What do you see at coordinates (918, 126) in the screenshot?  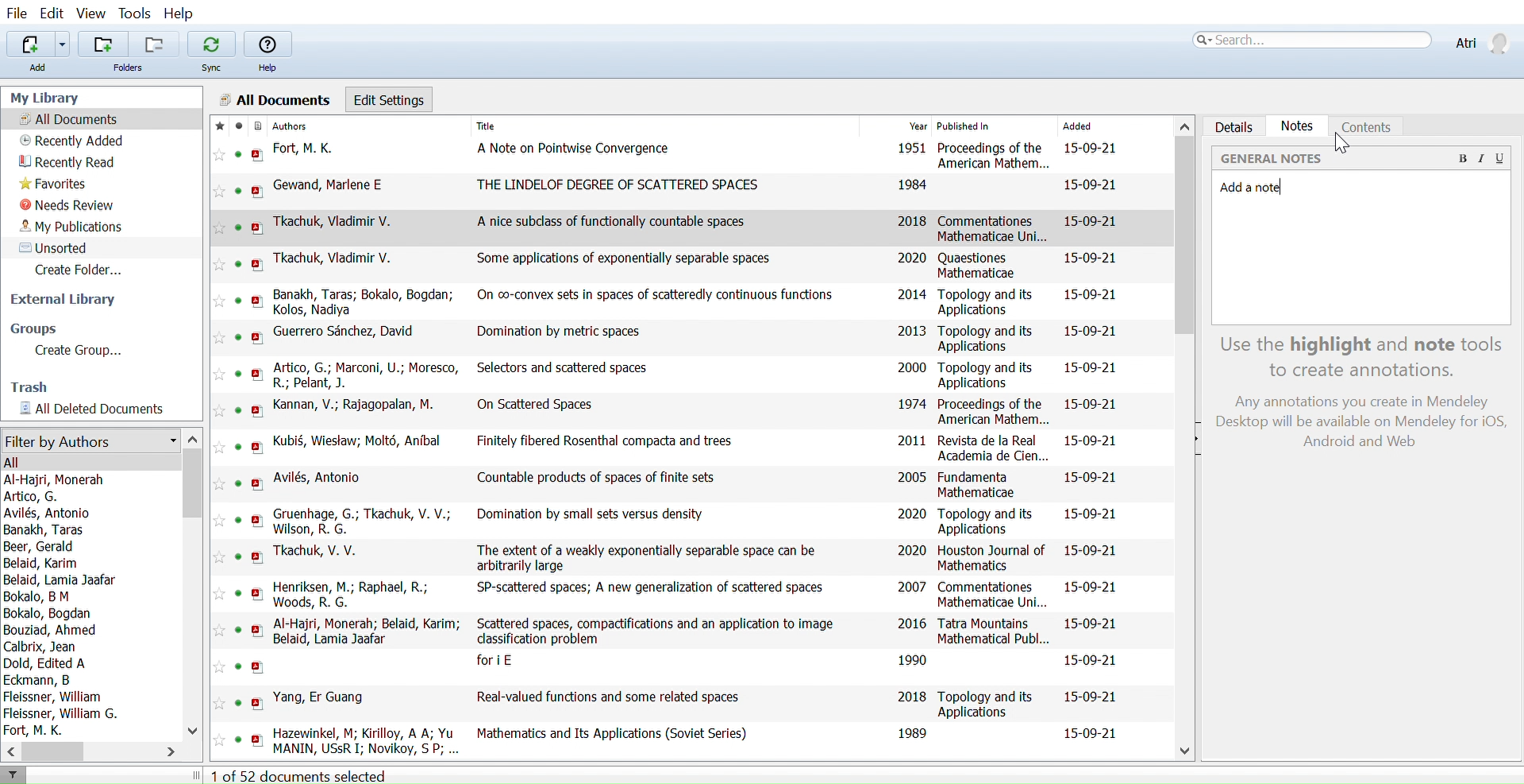 I see `Year` at bounding box center [918, 126].